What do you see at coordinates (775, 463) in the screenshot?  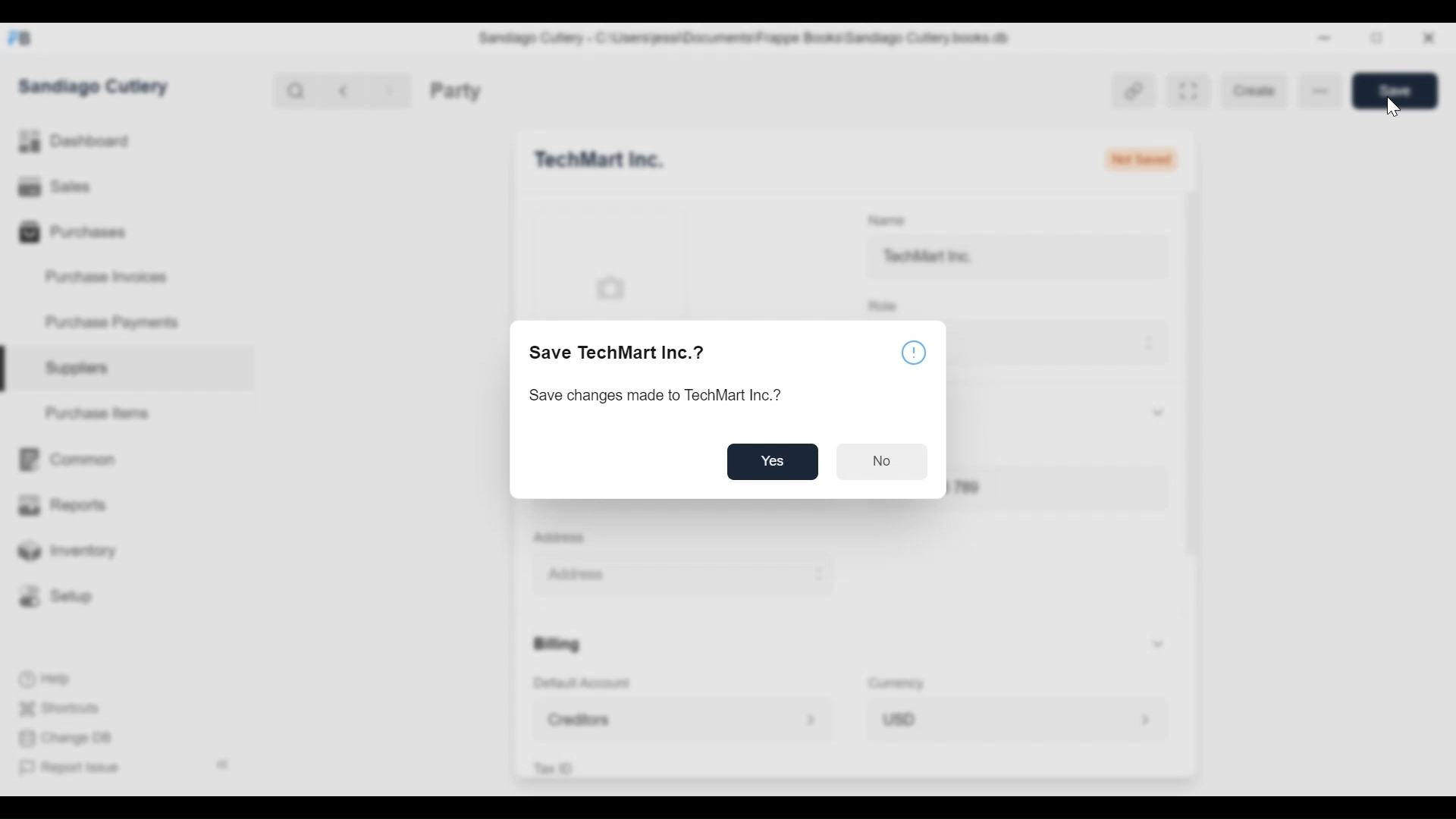 I see `Yes` at bounding box center [775, 463].